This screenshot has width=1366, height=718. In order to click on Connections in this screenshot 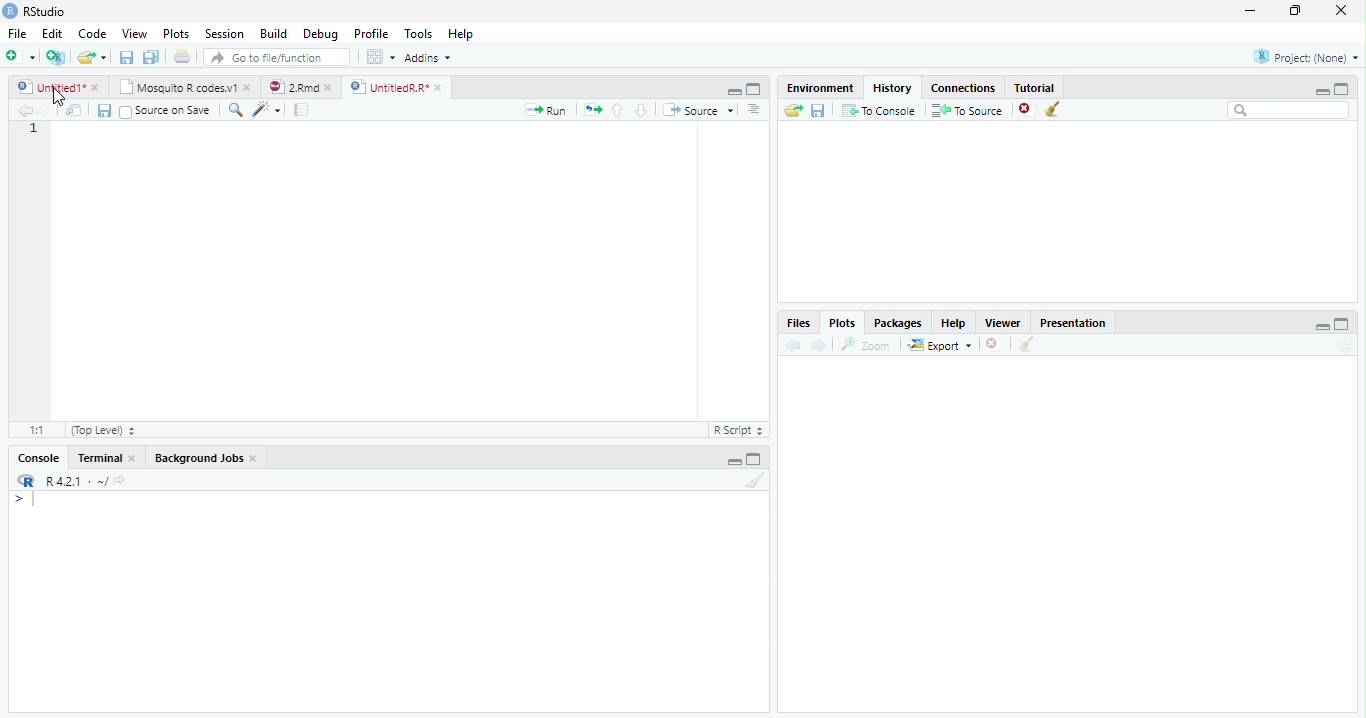, I will do `click(965, 86)`.